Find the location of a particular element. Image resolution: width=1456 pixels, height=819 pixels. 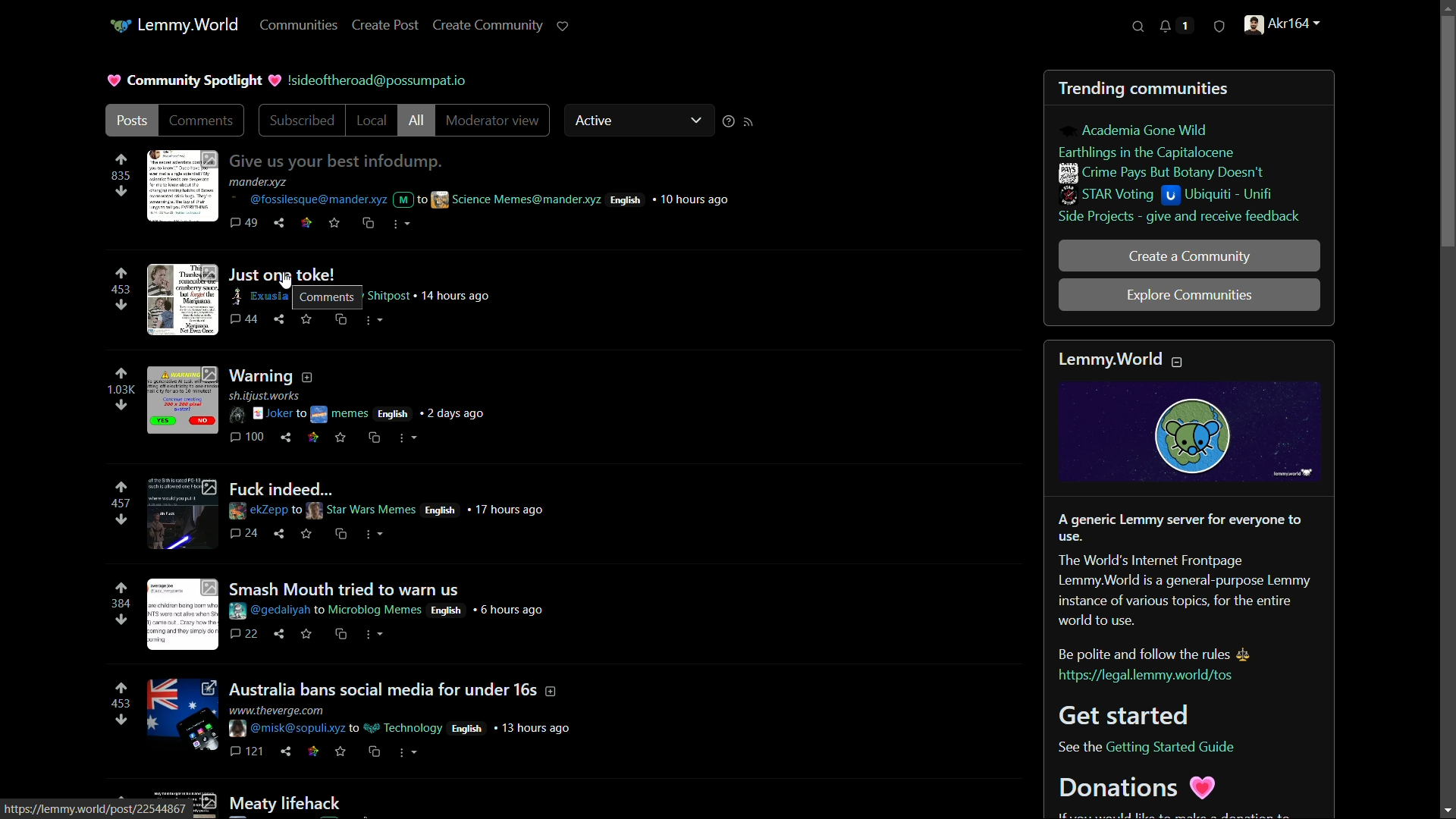

link is located at coordinates (306, 224).